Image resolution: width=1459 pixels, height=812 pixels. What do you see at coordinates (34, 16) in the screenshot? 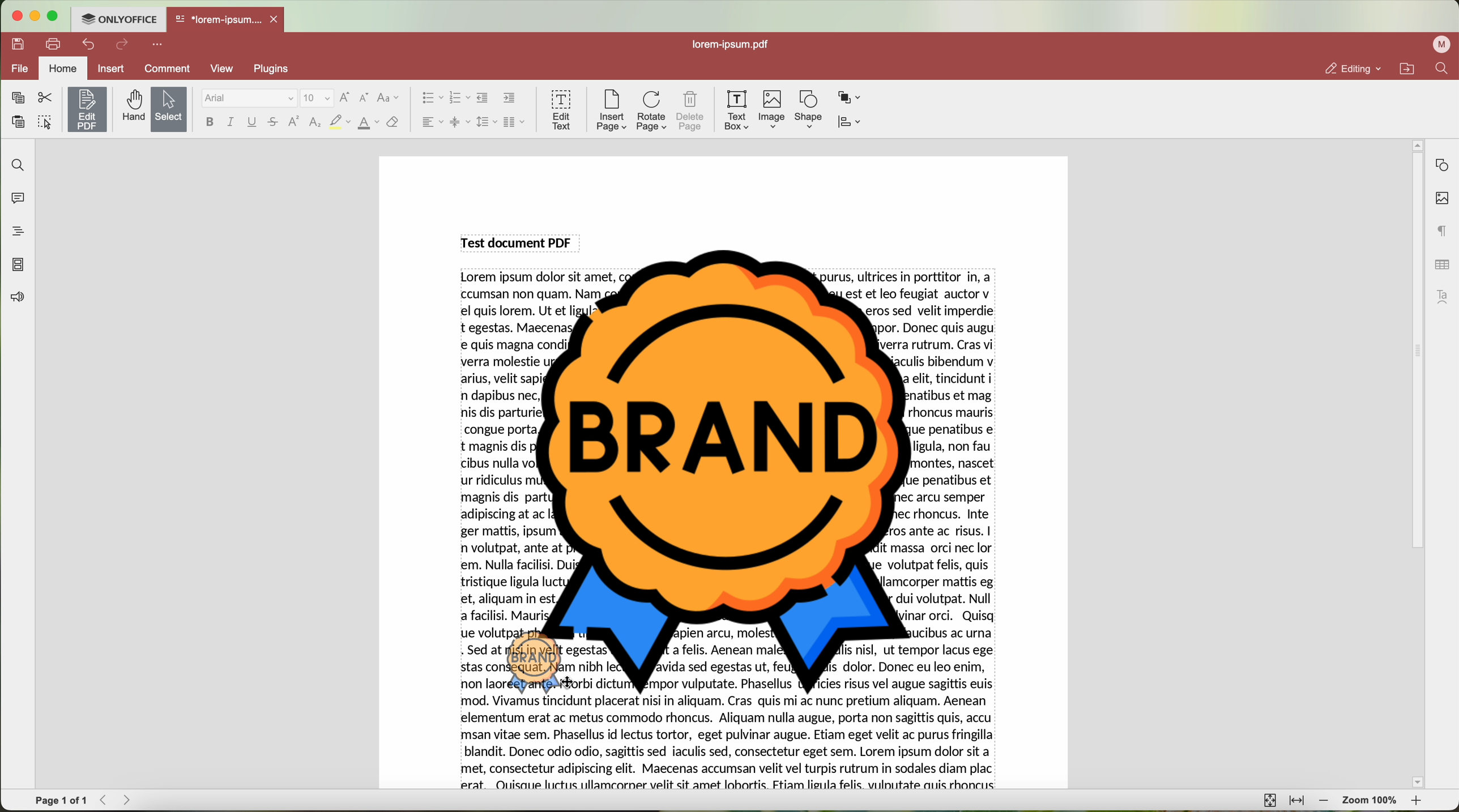
I see `minimize` at bounding box center [34, 16].